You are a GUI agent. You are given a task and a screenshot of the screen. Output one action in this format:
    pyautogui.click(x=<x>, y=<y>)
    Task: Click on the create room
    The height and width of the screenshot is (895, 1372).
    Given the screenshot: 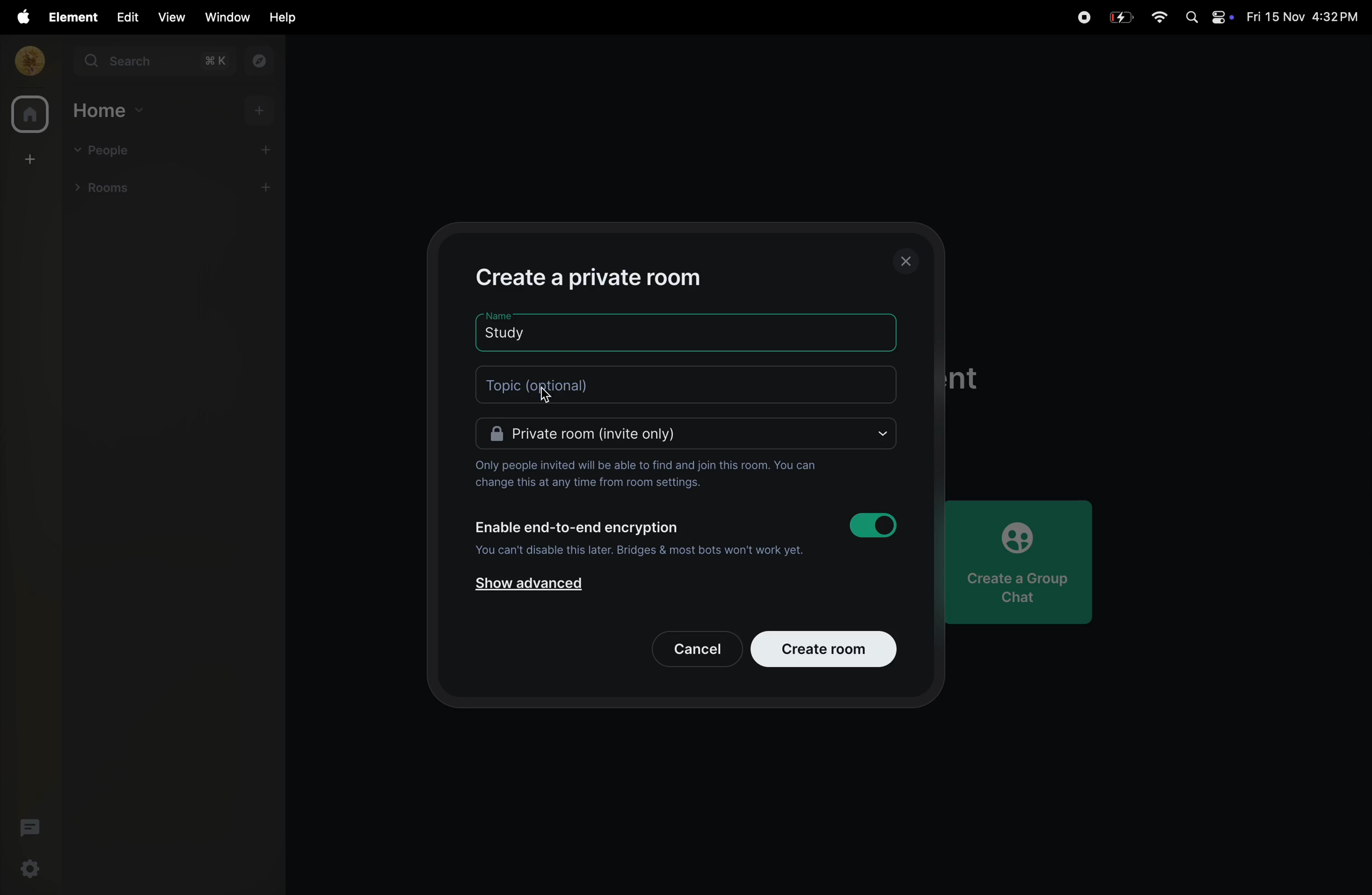 What is the action you would take?
    pyautogui.click(x=28, y=160)
    